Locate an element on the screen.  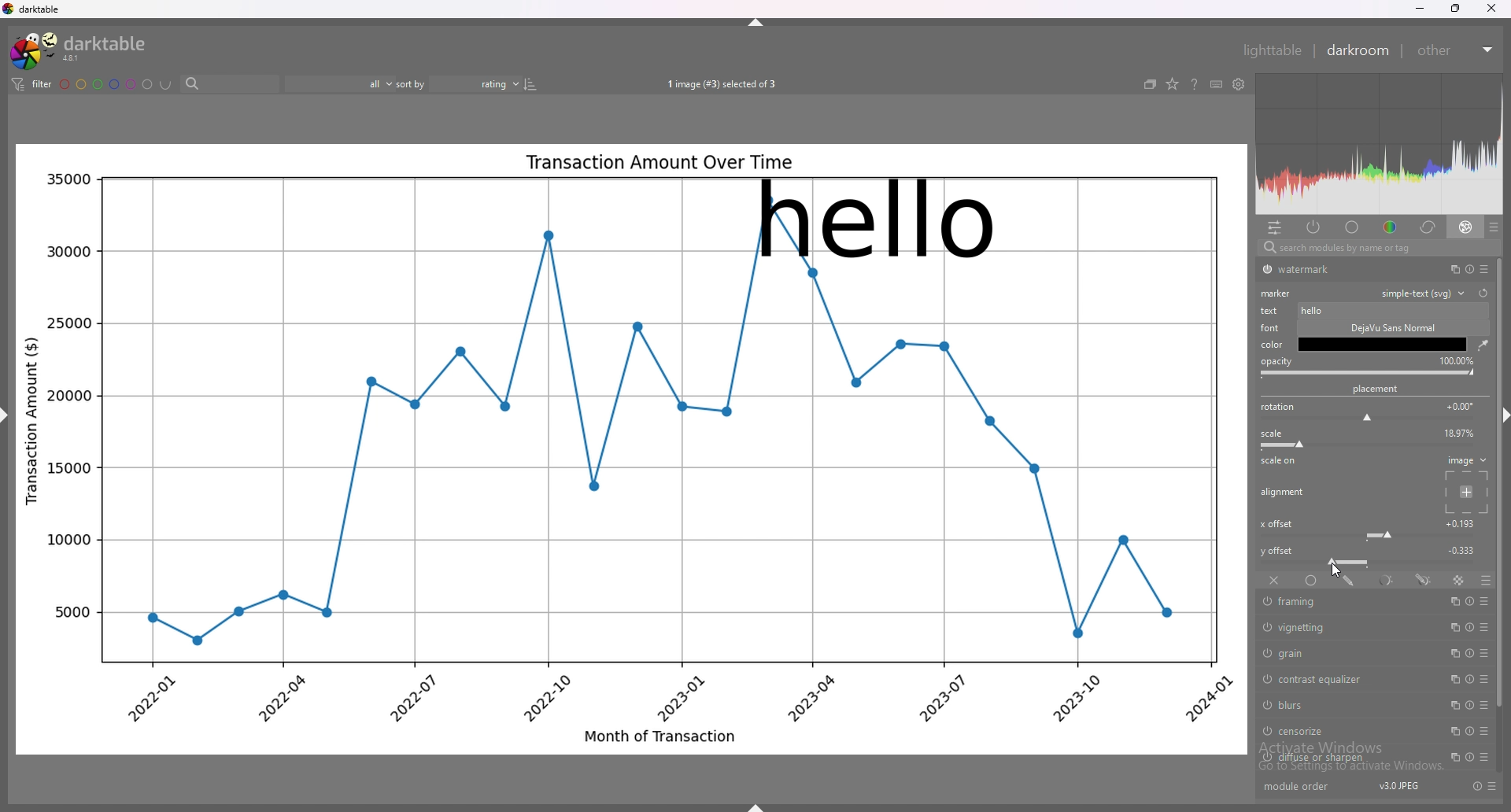
placement is located at coordinates (1469, 493).